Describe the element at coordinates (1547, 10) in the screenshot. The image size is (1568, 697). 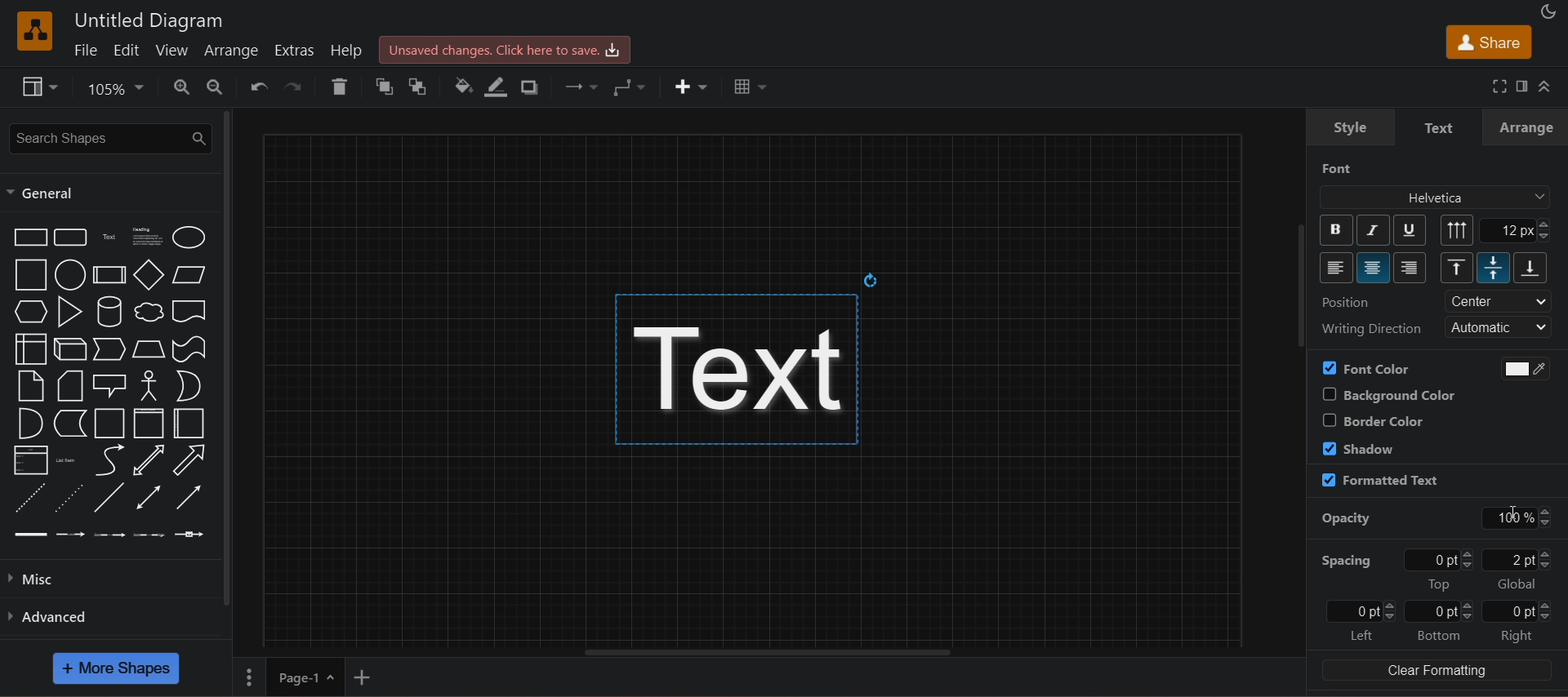
I see `appearance` at that location.